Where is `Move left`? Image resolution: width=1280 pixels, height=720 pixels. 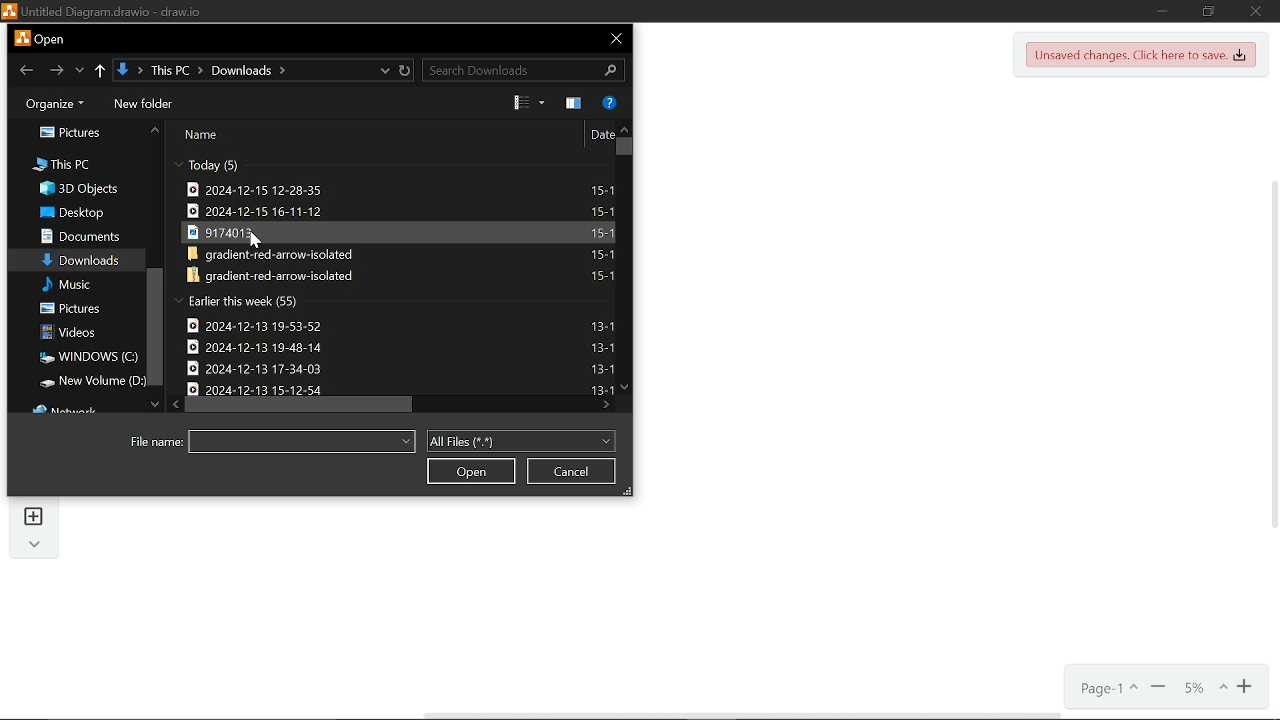 Move left is located at coordinates (174, 403).